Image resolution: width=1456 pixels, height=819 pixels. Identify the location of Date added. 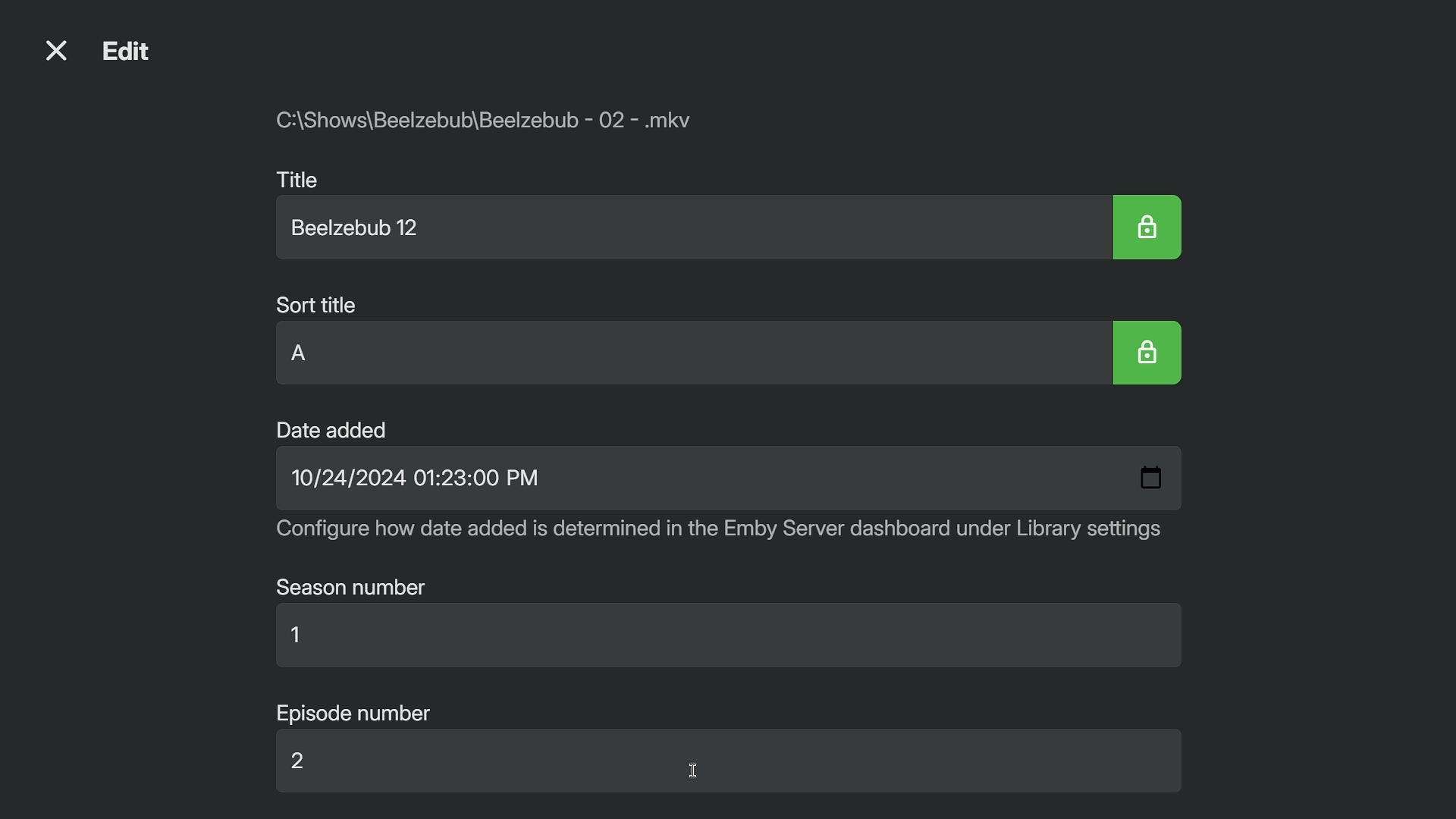
(333, 428).